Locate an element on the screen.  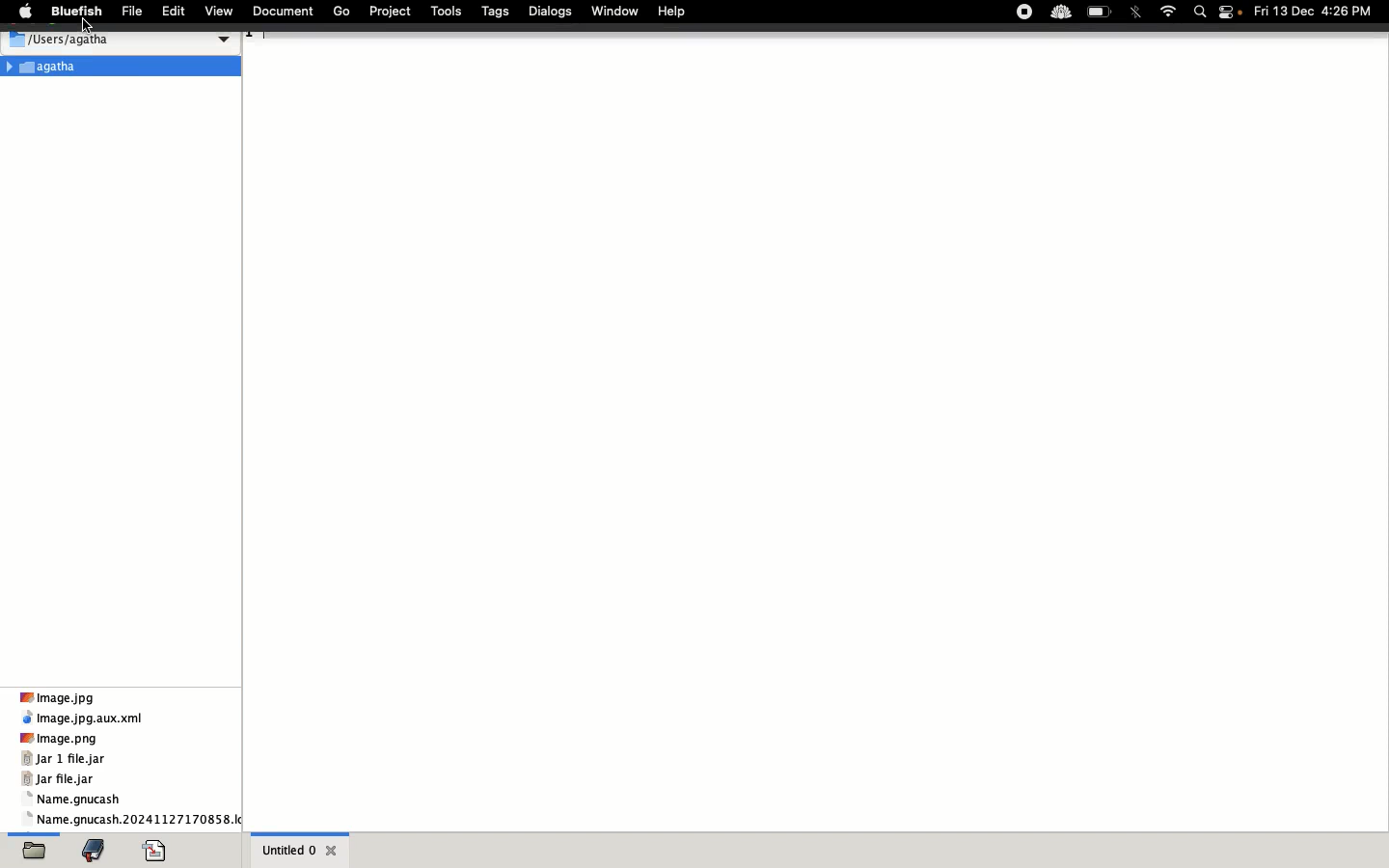
Bluetooth is located at coordinates (1135, 14).